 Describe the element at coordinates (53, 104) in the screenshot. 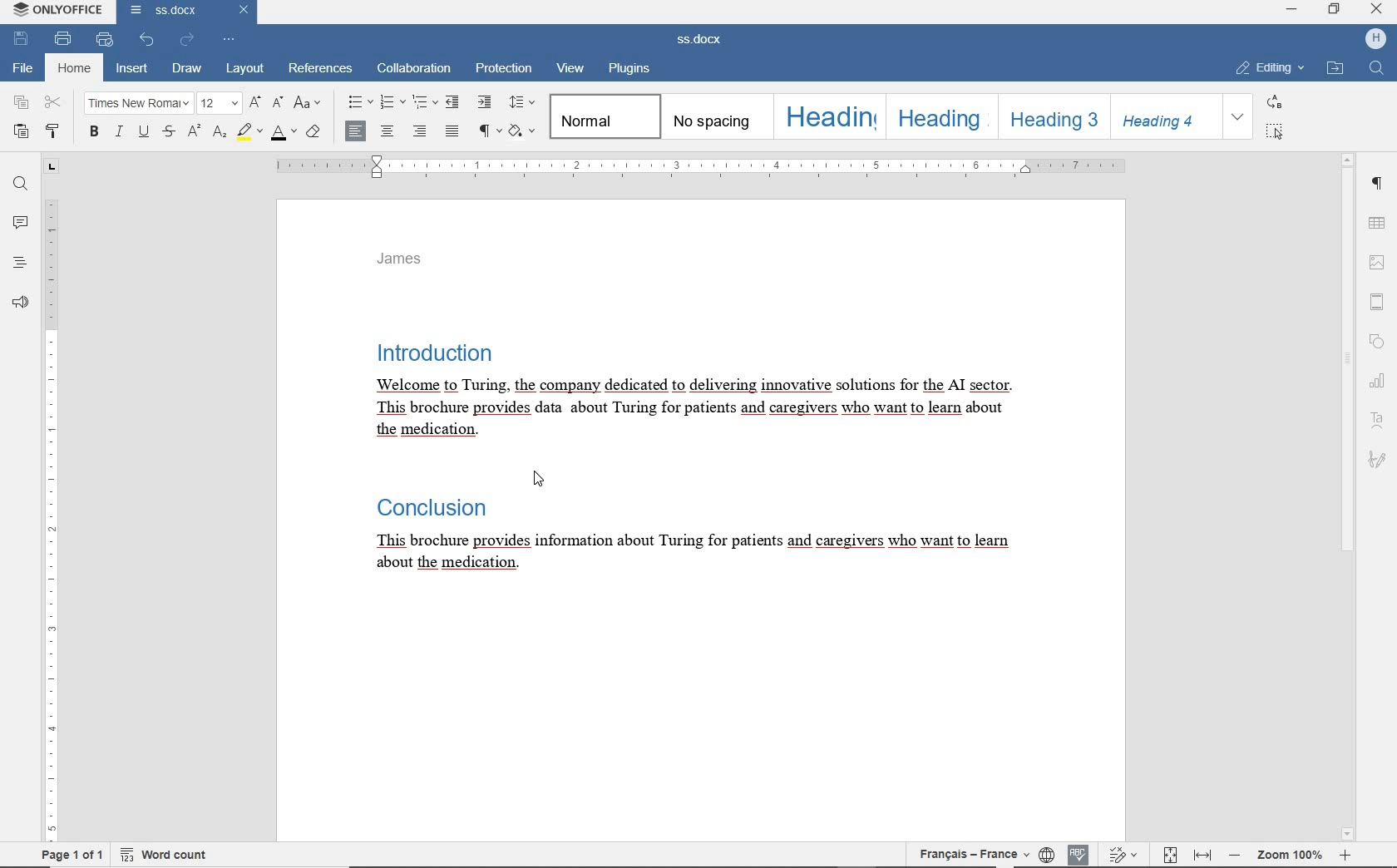

I see `CUT` at that location.